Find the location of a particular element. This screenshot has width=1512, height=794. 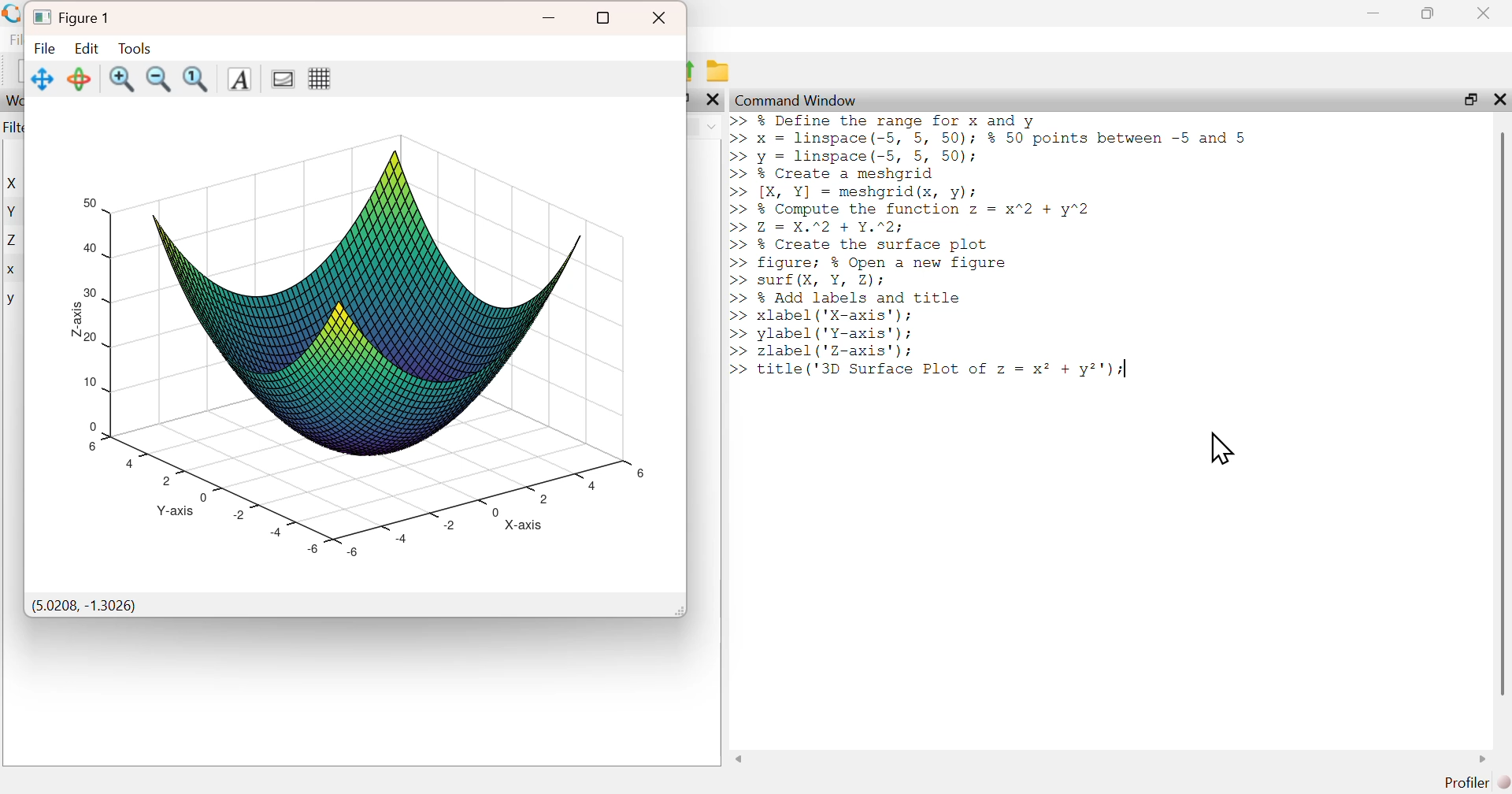

maximize is located at coordinates (1469, 98).